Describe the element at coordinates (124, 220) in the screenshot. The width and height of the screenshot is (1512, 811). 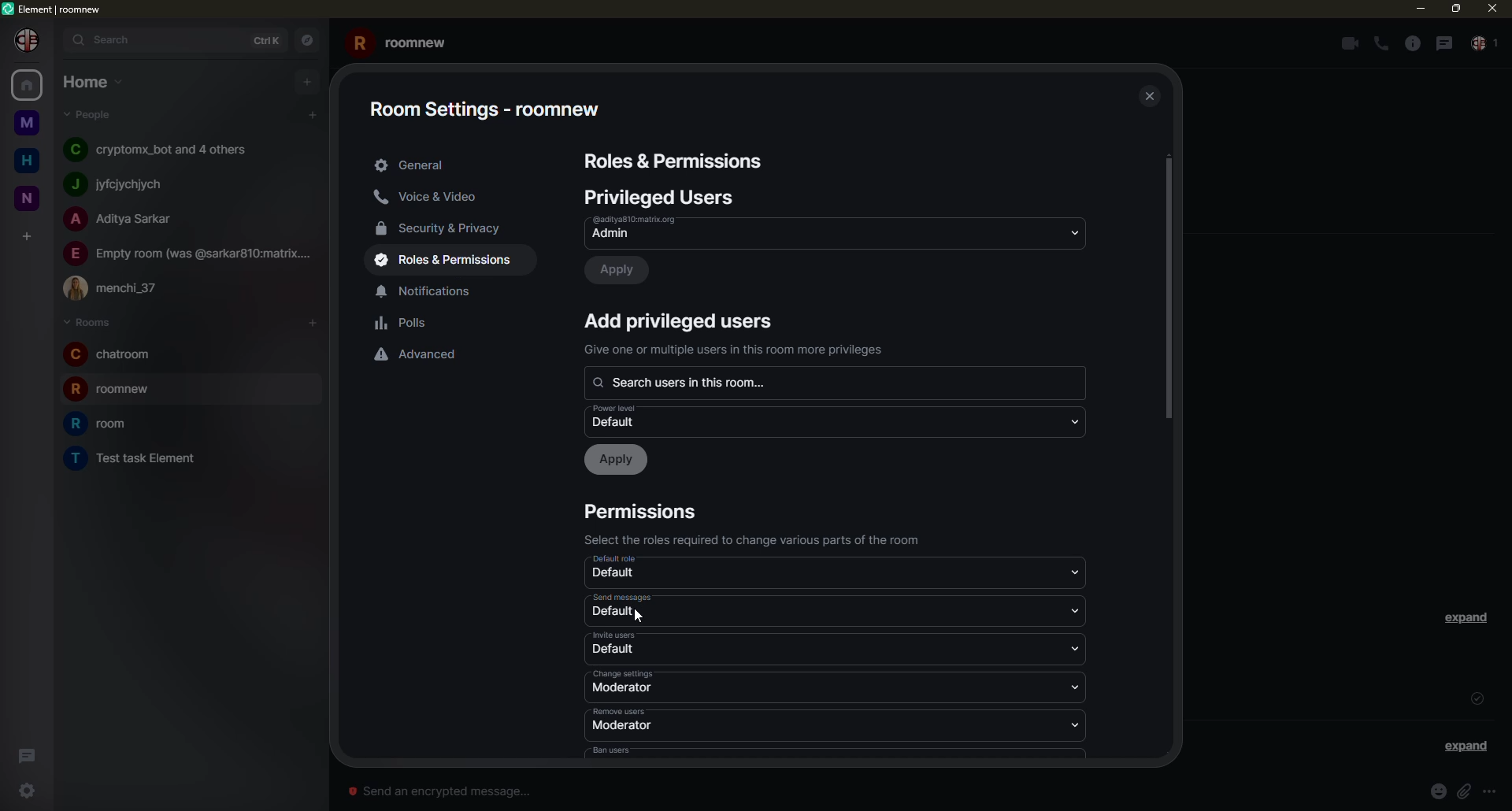
I see `people` at that location.